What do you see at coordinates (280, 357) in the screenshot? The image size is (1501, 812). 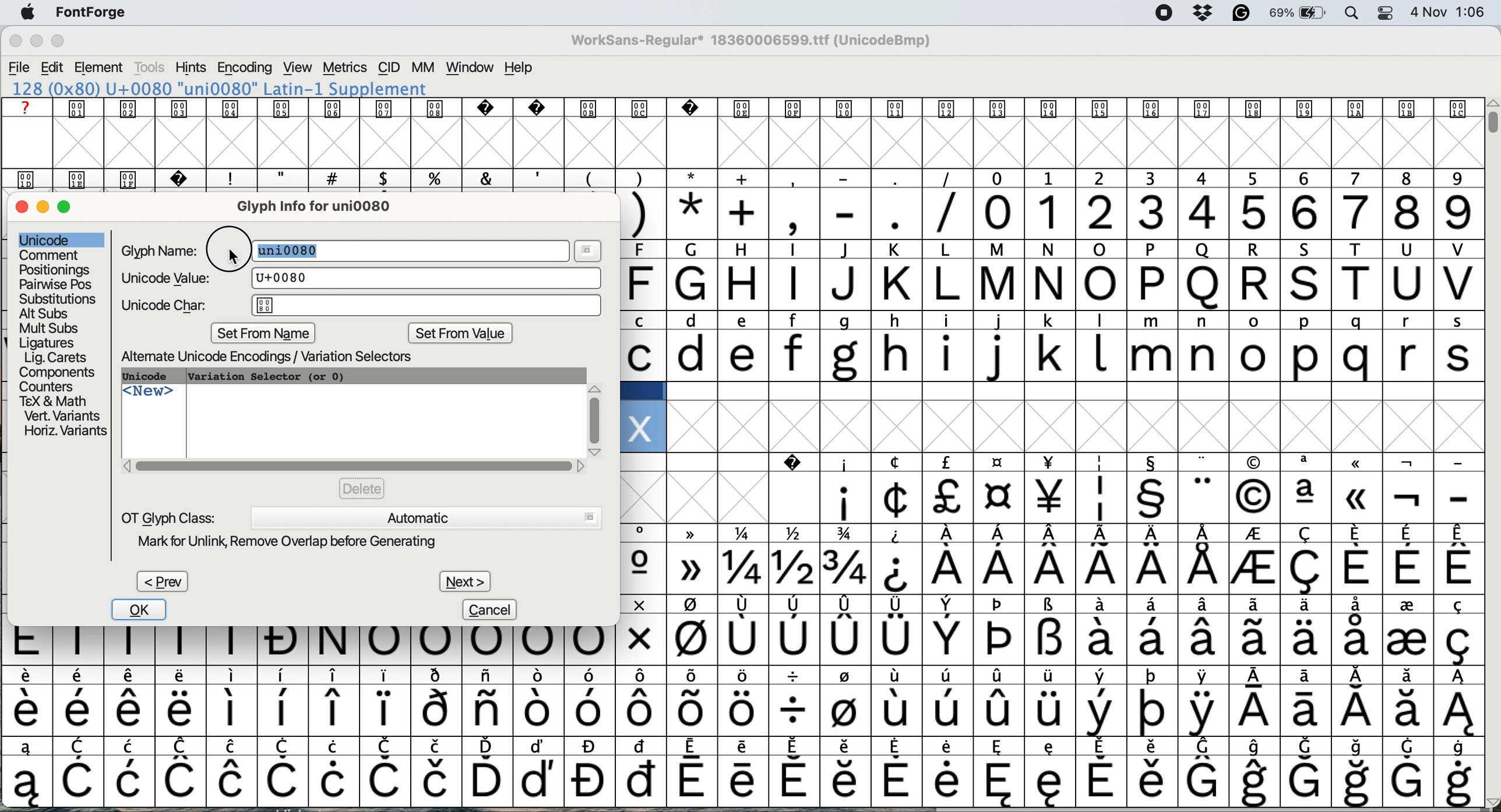 I see `alternate unicode encodings variation selectors` at bounding box center [280, 357].